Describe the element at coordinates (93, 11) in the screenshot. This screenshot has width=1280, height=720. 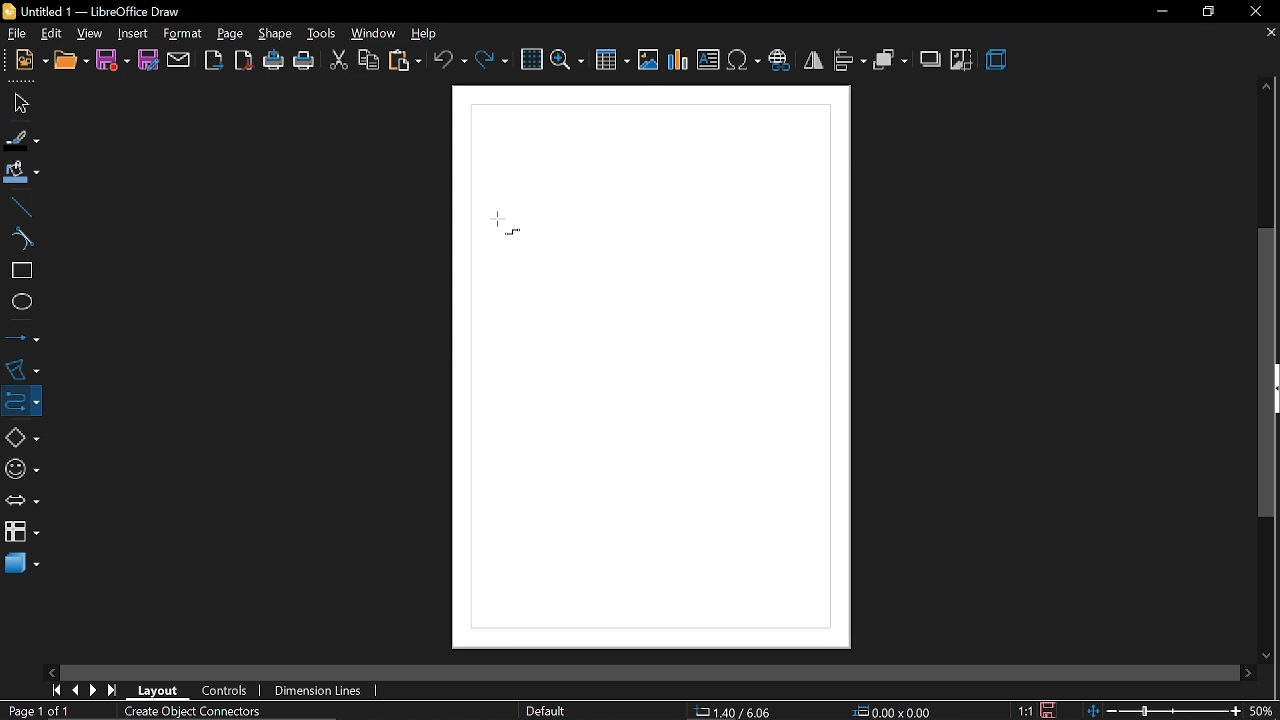
I see `Untitled 1 - LibreOffice Draw` at that location.